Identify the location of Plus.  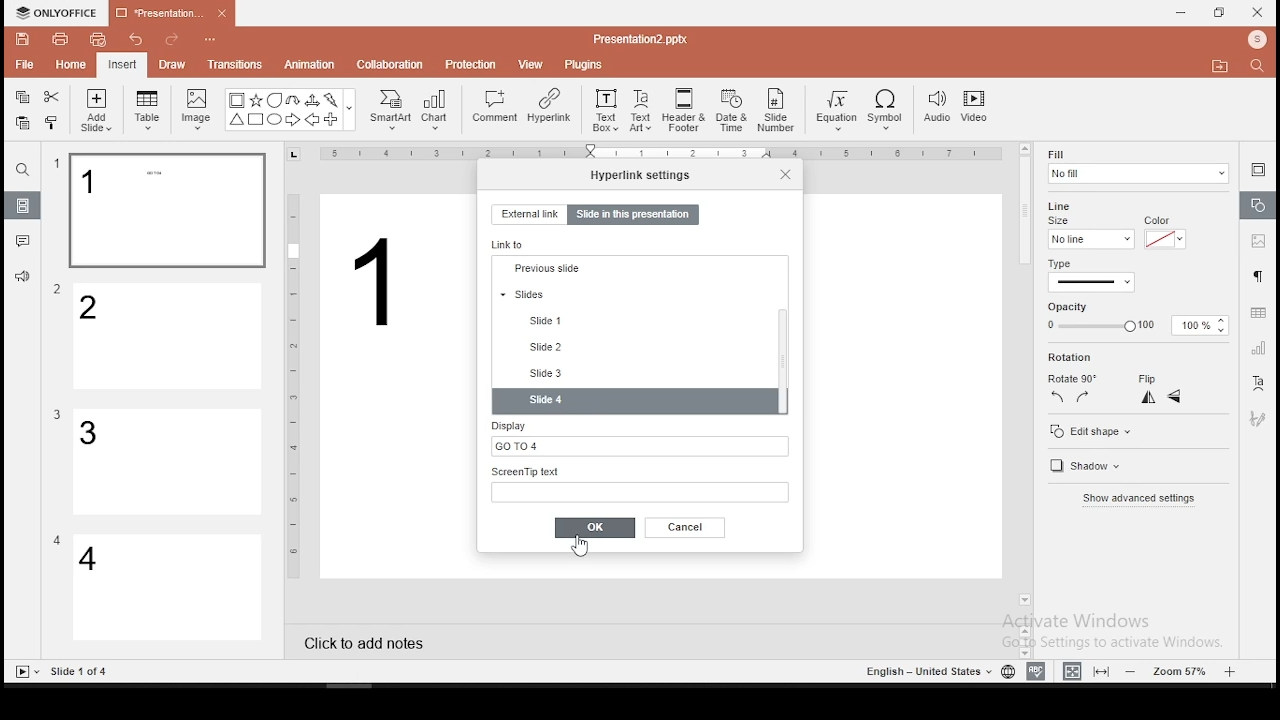
(332, 120).